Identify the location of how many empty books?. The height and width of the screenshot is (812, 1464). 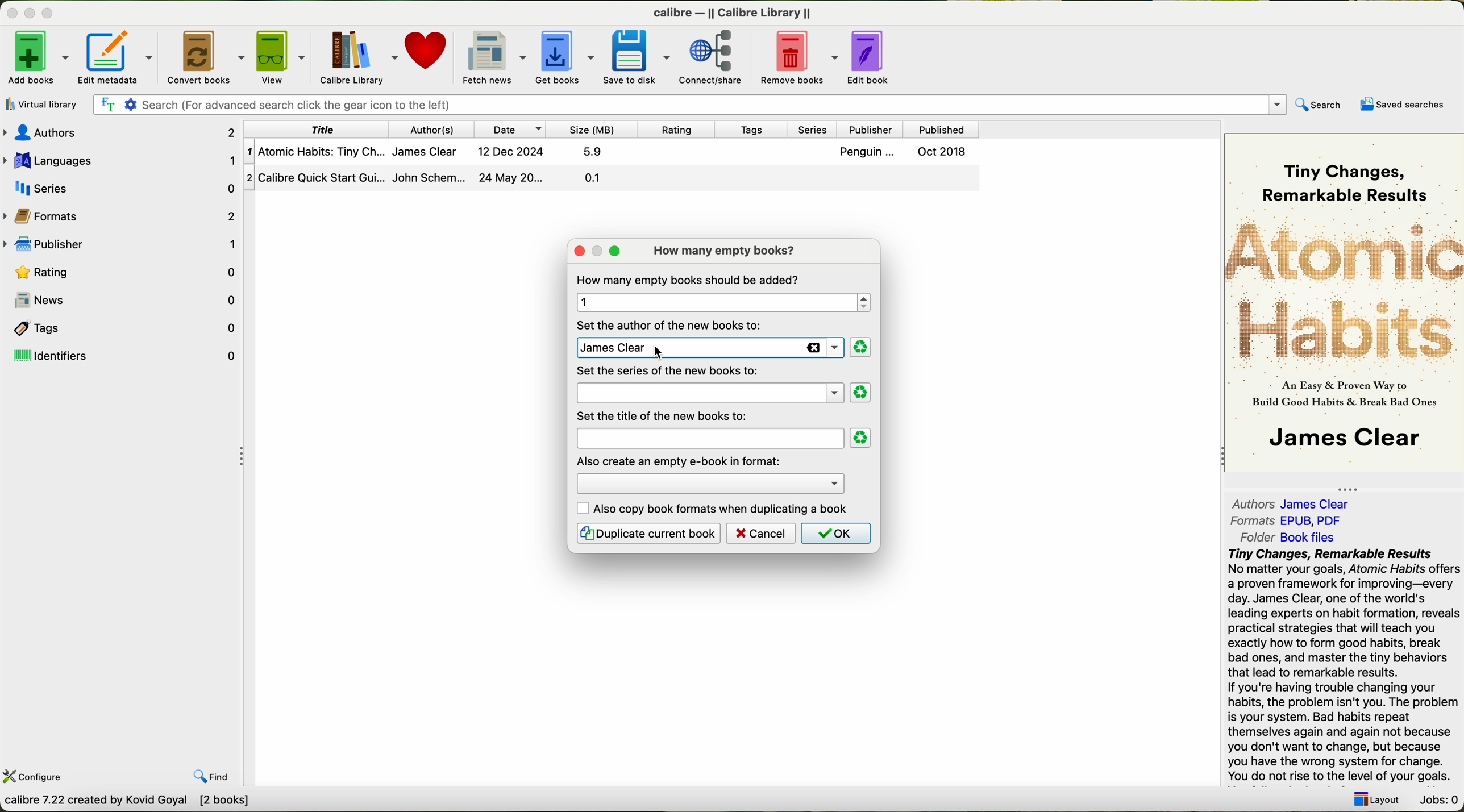
(727, 251).